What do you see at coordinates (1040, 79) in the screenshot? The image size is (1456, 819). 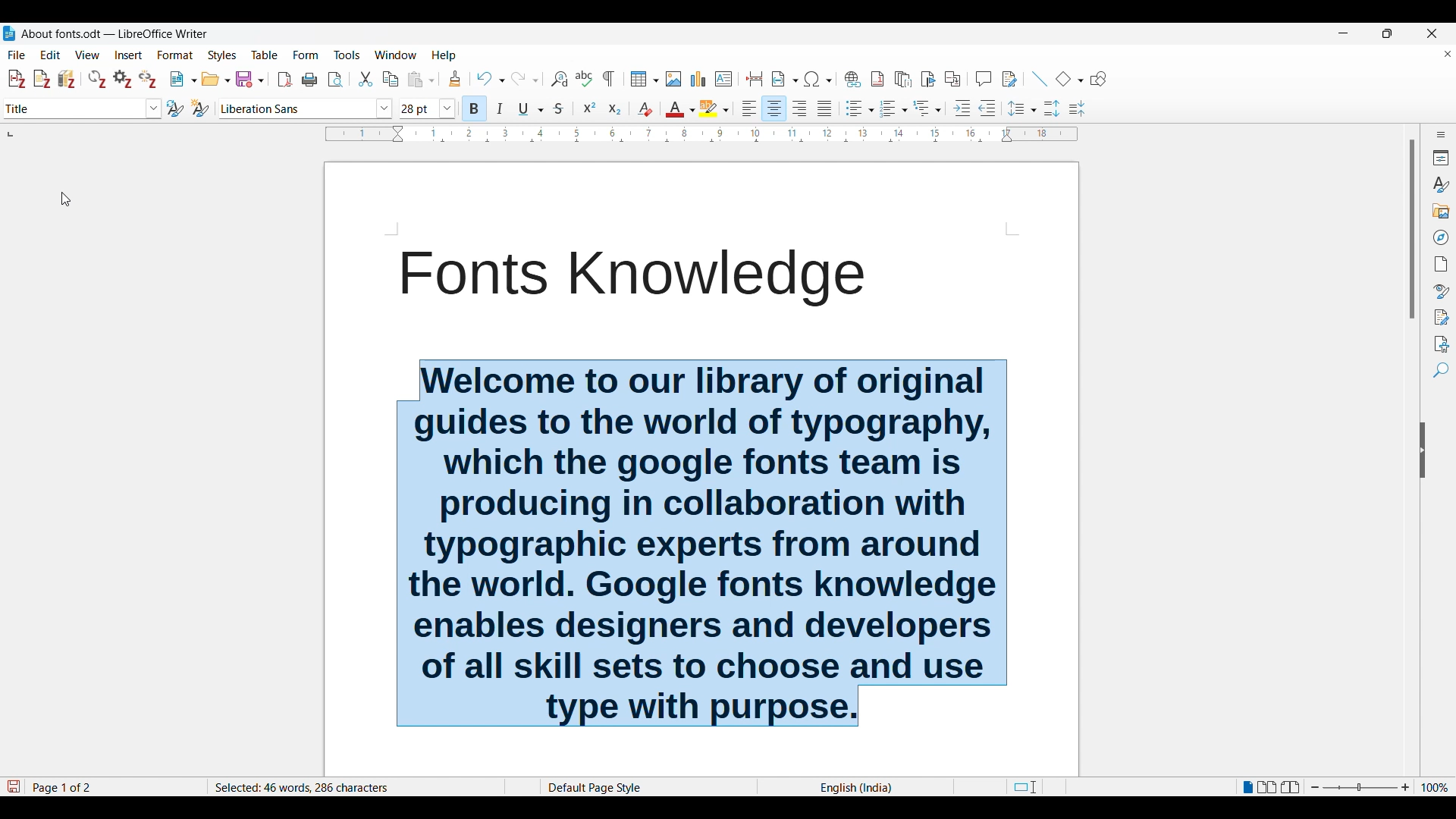 I see `Insert line` at bounding box center [1040, 79].